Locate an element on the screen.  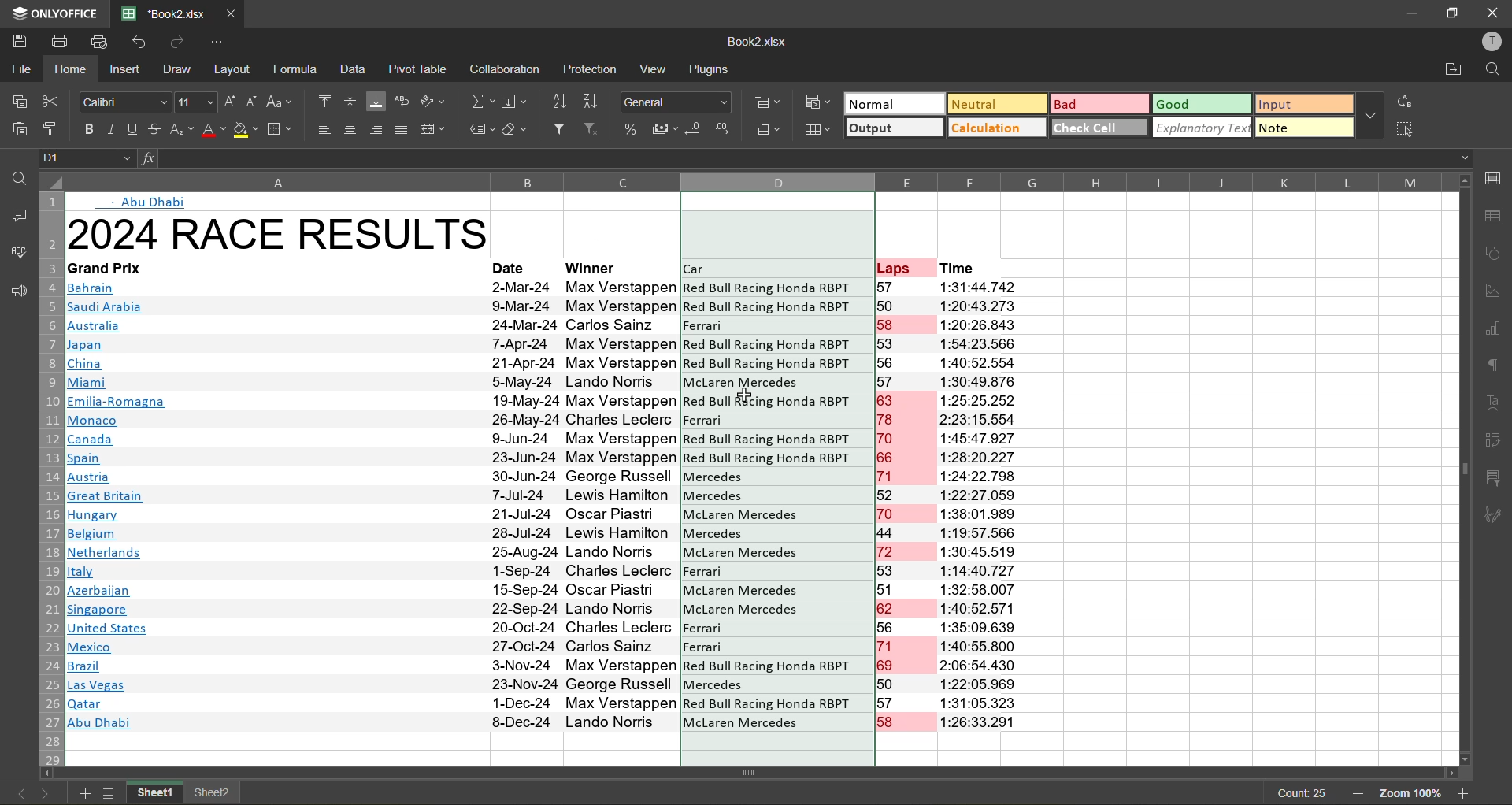
previous is located at coordinates (22, 794).